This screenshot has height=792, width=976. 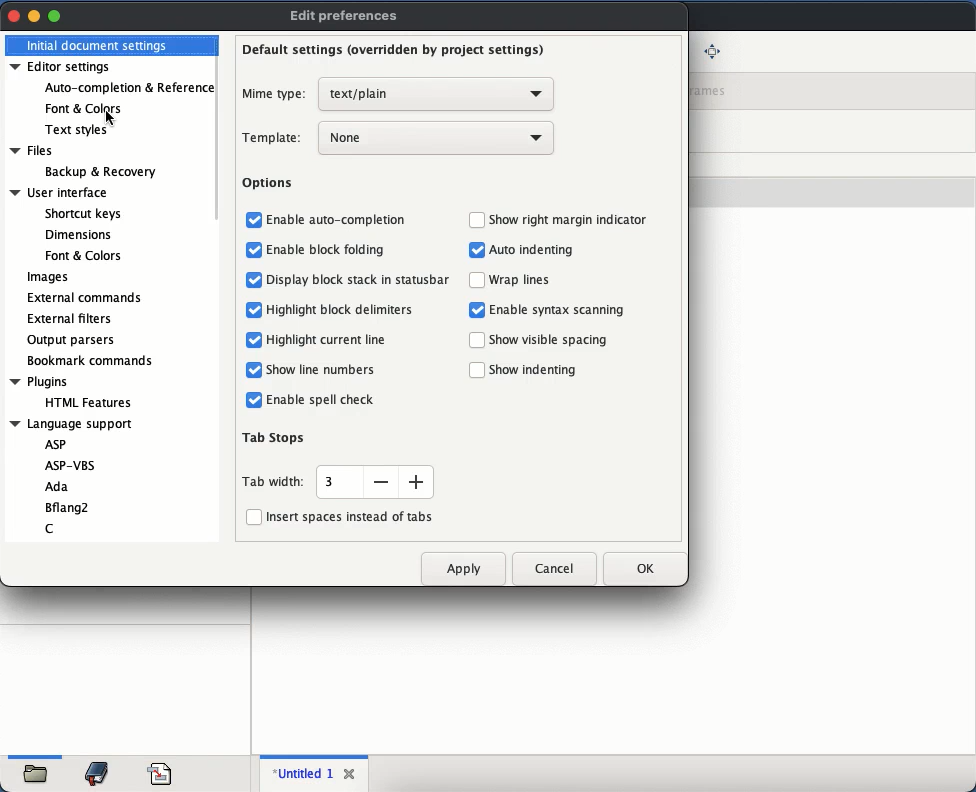 I want to click on Highlight current line, so click(x=328, y=339).